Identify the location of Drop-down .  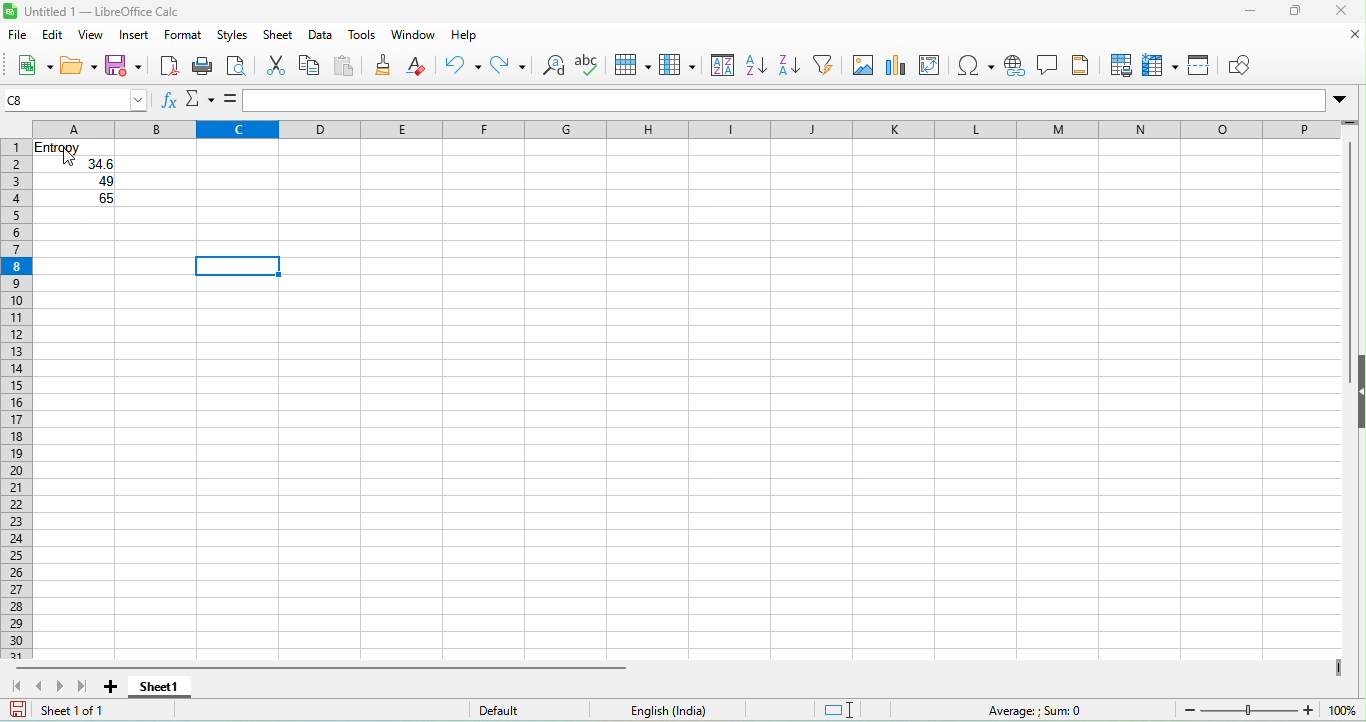
(1344, 100).